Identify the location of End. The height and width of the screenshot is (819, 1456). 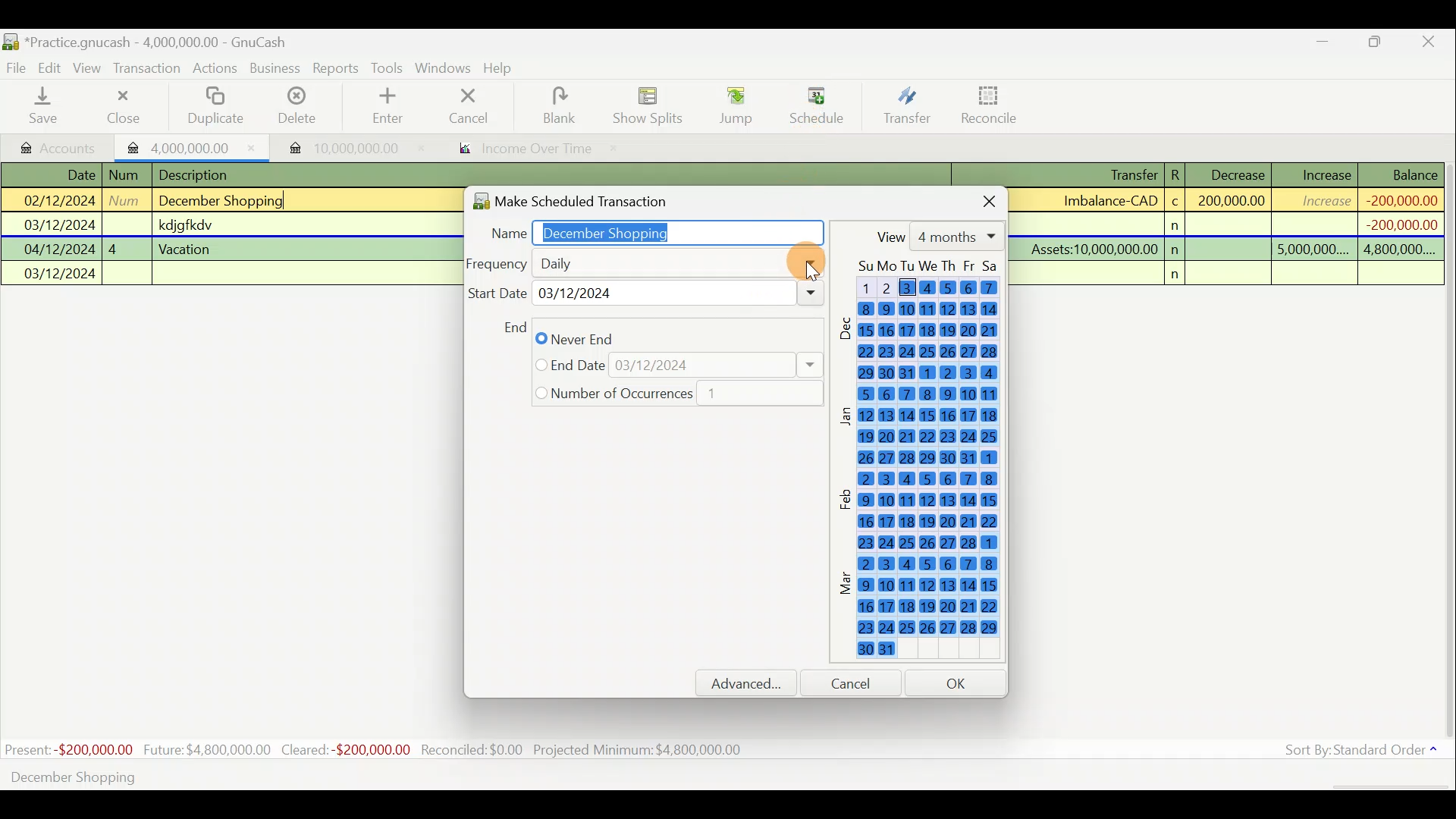
(513, 327).